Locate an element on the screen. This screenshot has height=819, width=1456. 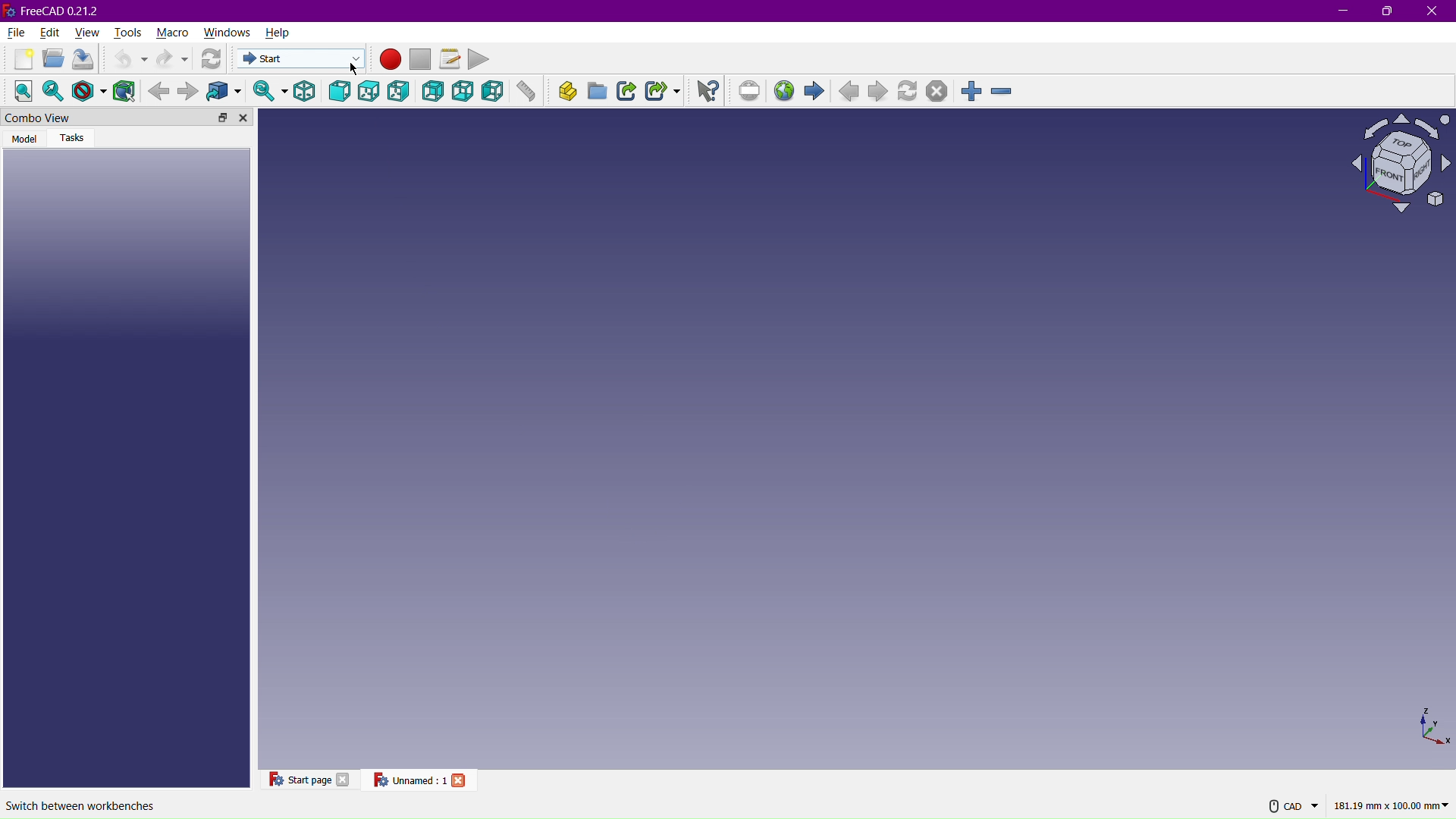
Cursor  is located at coordinates (353, 67).